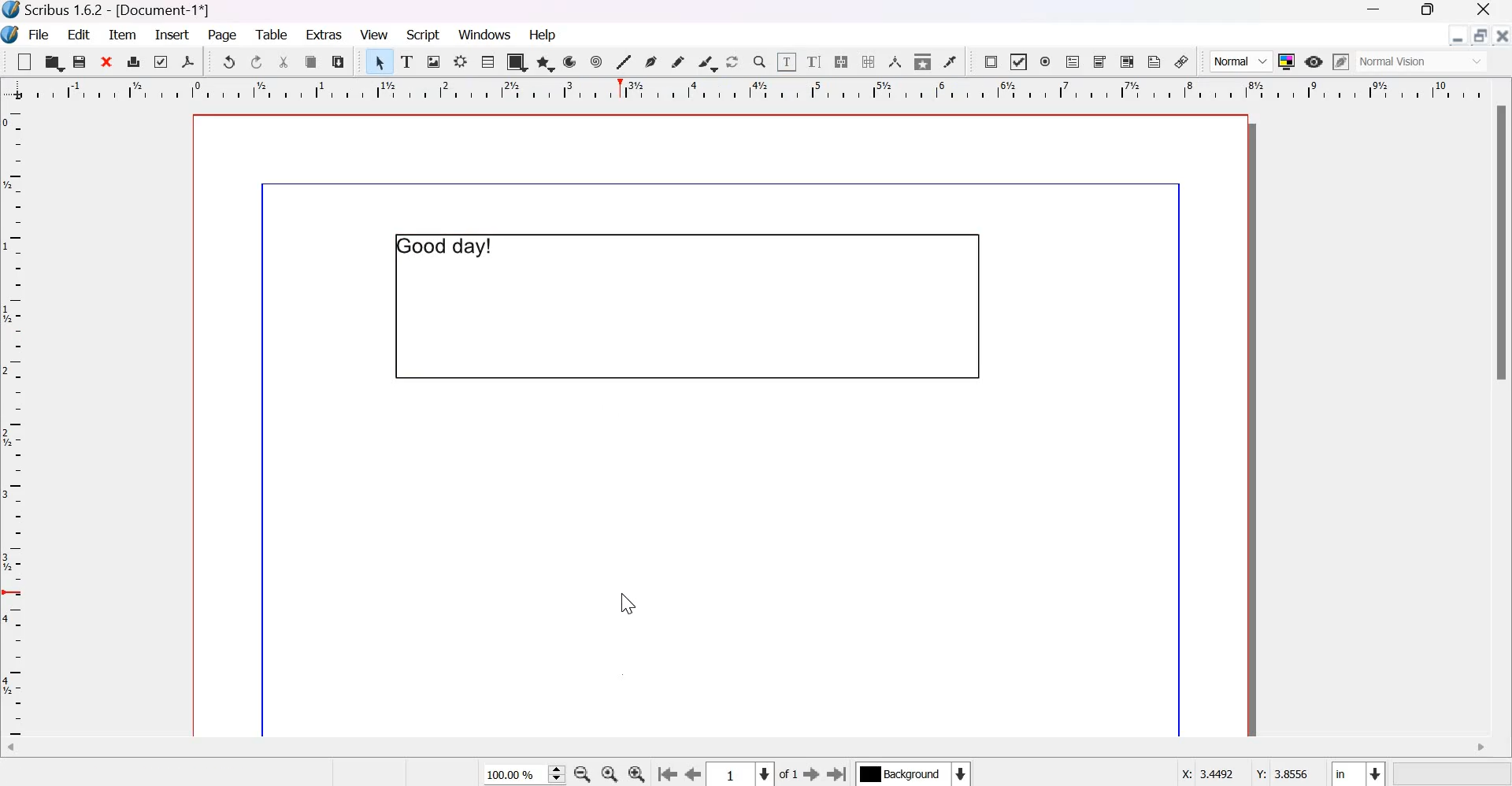  I want to click on Bezier curve, so click(650, 61).